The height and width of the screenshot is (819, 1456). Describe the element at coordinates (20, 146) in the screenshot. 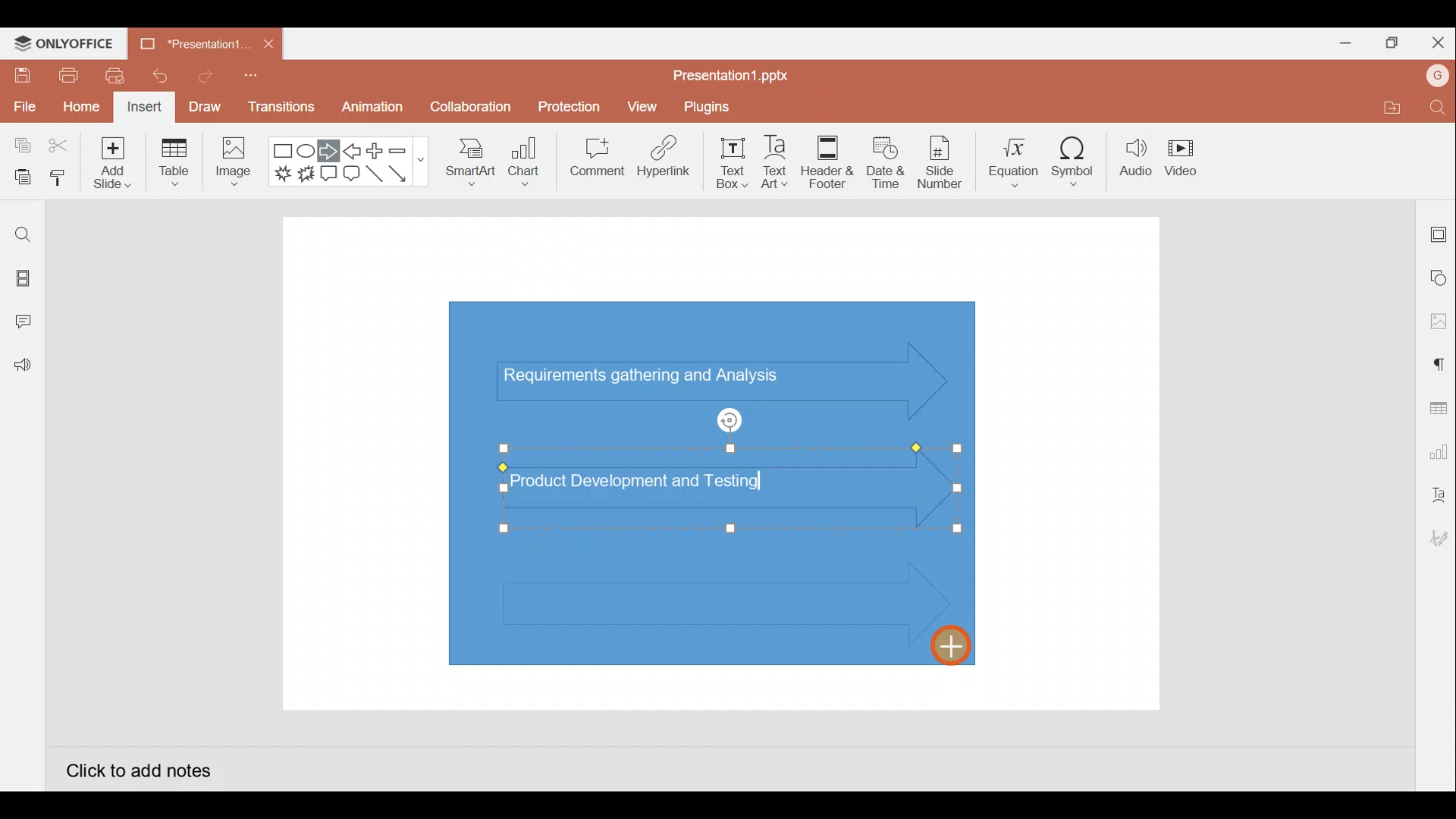

I see `Copy` at that location.